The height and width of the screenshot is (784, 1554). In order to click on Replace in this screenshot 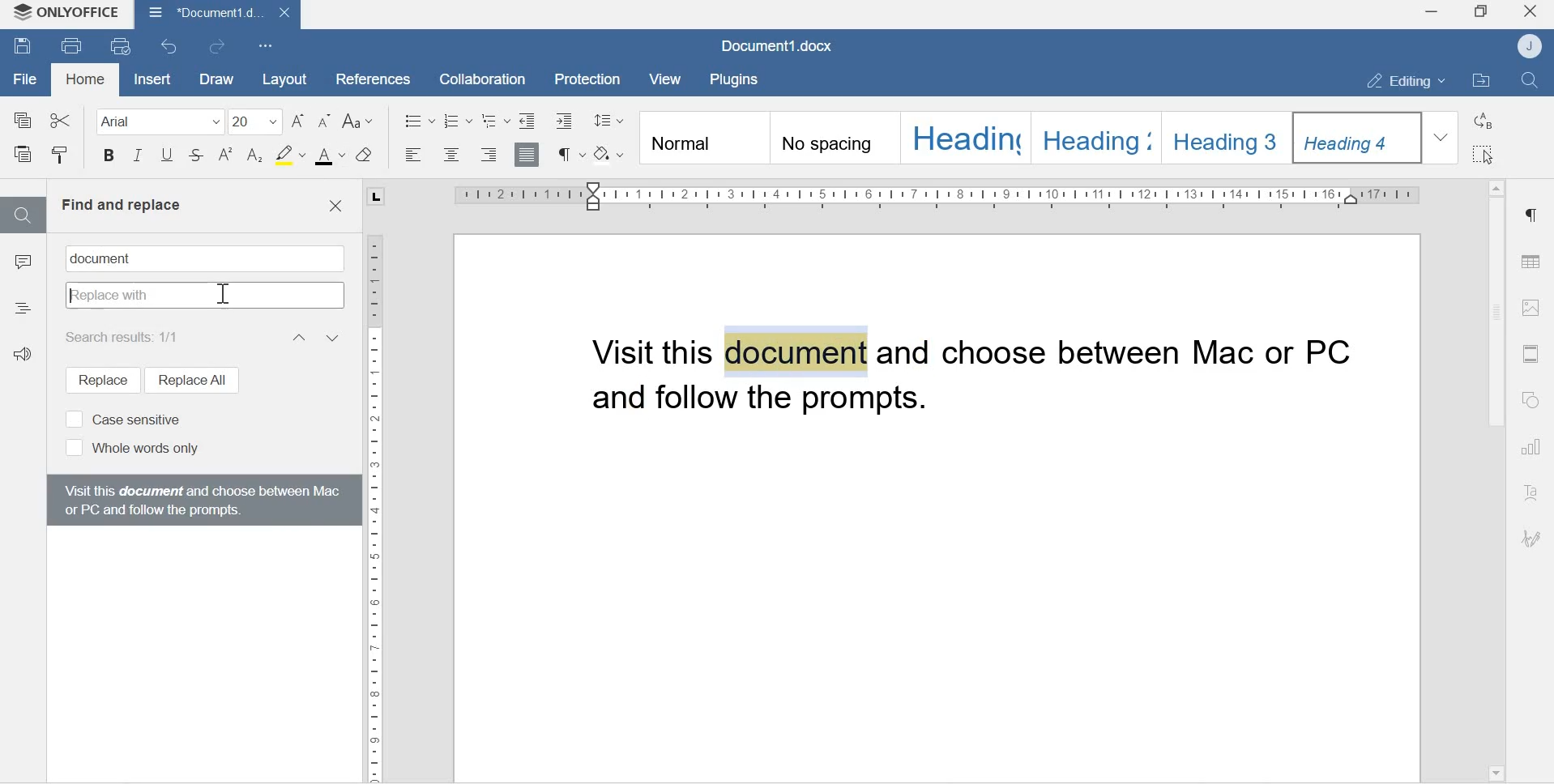, I will do `click(1485, 121)`.